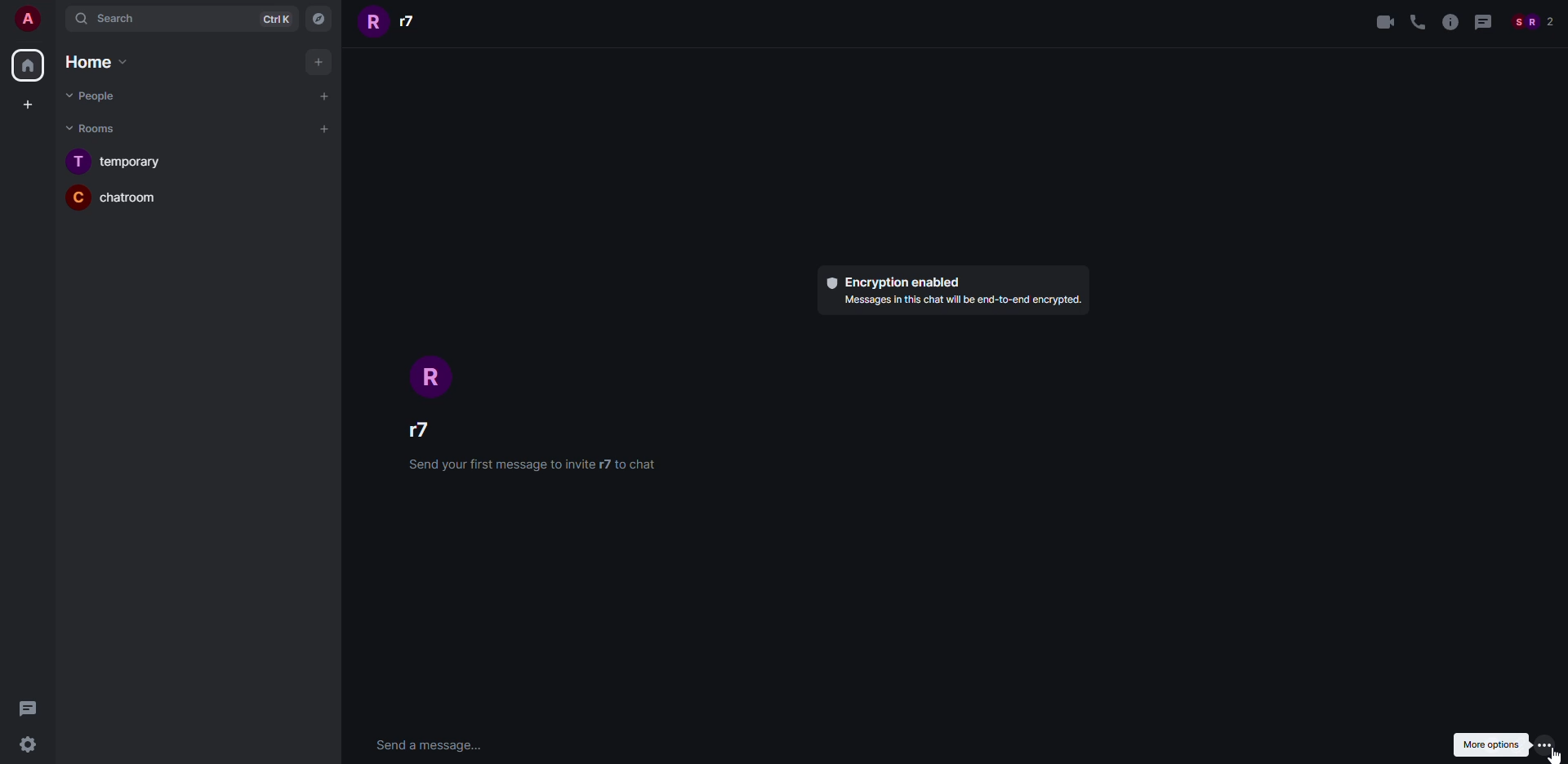  What do you see at coordinates (429, 747) in the screenshot?
I see `Send a message` at bounding box center [429, 747].